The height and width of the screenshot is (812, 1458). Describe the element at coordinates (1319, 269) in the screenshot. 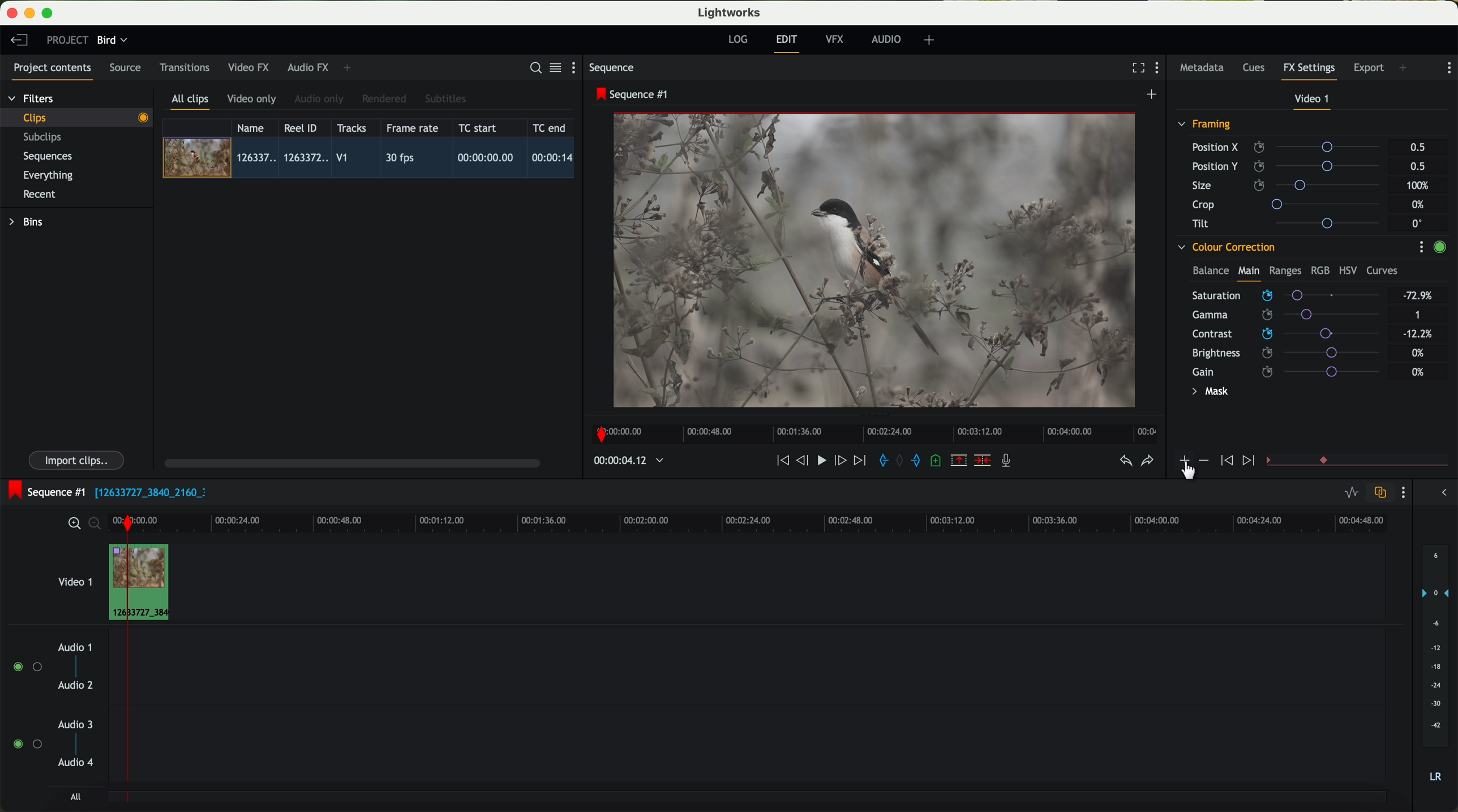

I see `RGB` at that location.